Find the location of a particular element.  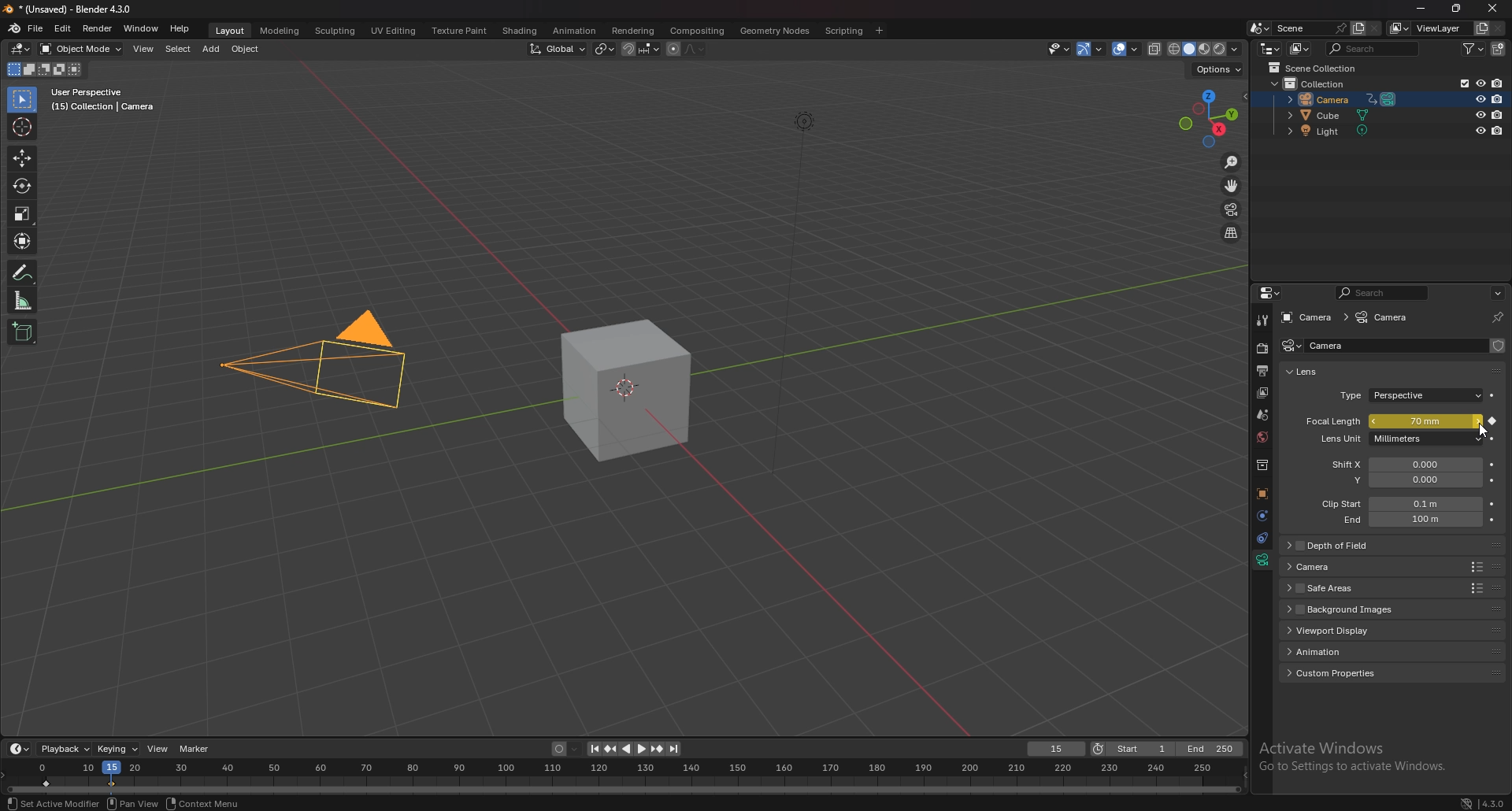

compositing is located at coordinates (698, 31).